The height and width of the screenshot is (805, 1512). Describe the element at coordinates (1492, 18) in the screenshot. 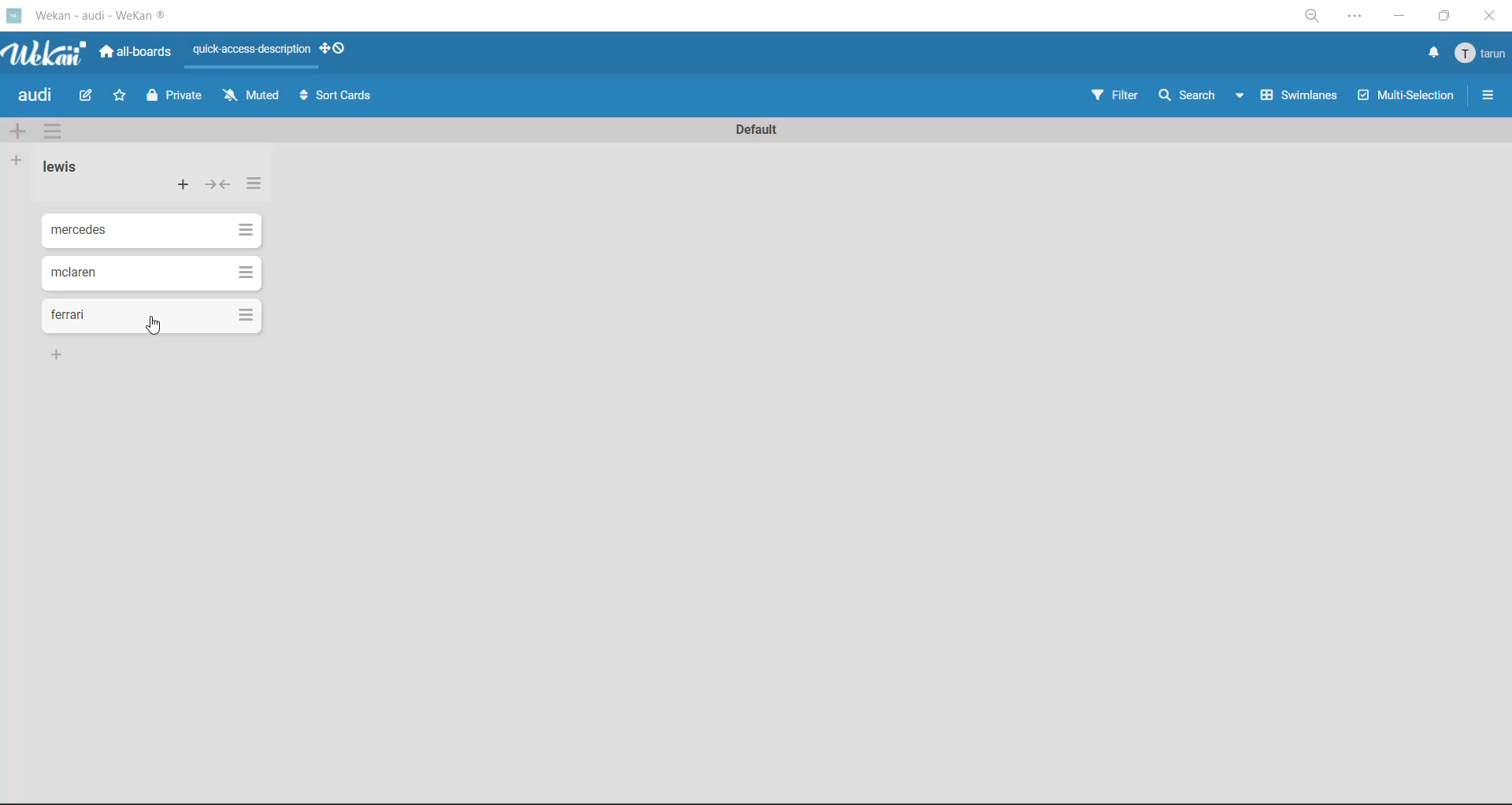

I see `close` at that location.